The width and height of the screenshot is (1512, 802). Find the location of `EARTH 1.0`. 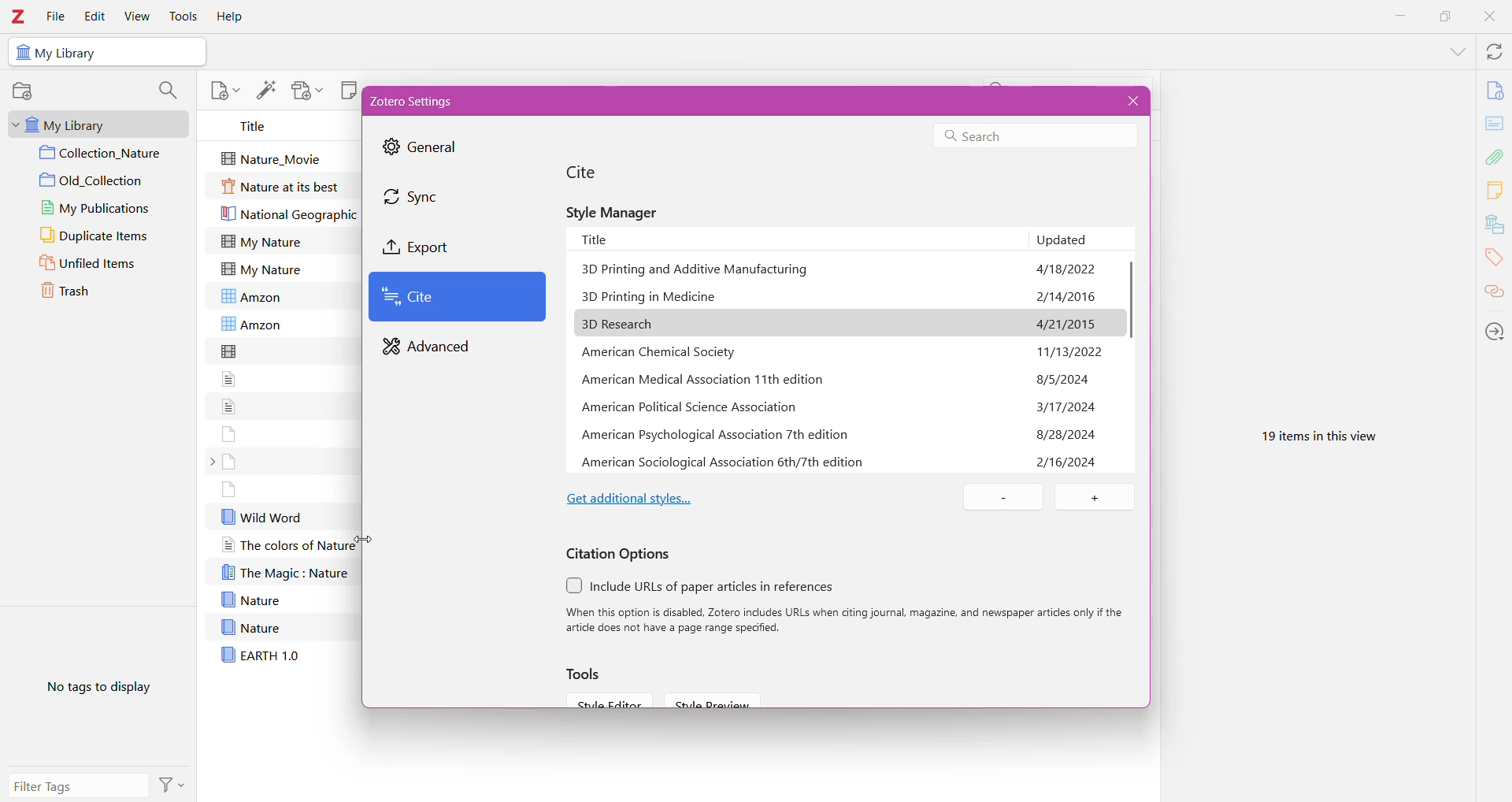

EARTH 1.0 is located at coordinates (260, 654).